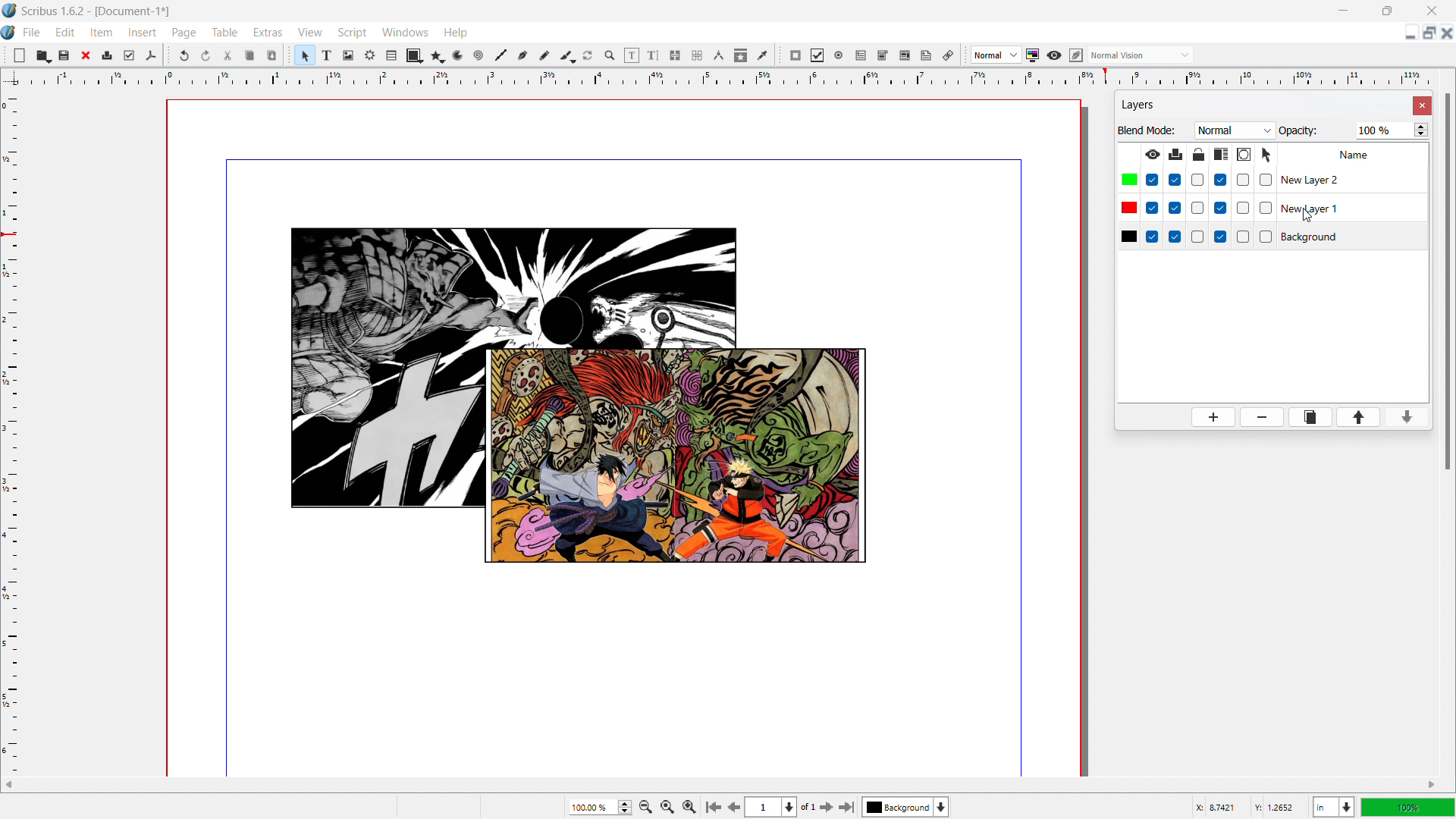 This screenshot has height=819, width=1456. I want to click on select current unit, so click(1333, 806).